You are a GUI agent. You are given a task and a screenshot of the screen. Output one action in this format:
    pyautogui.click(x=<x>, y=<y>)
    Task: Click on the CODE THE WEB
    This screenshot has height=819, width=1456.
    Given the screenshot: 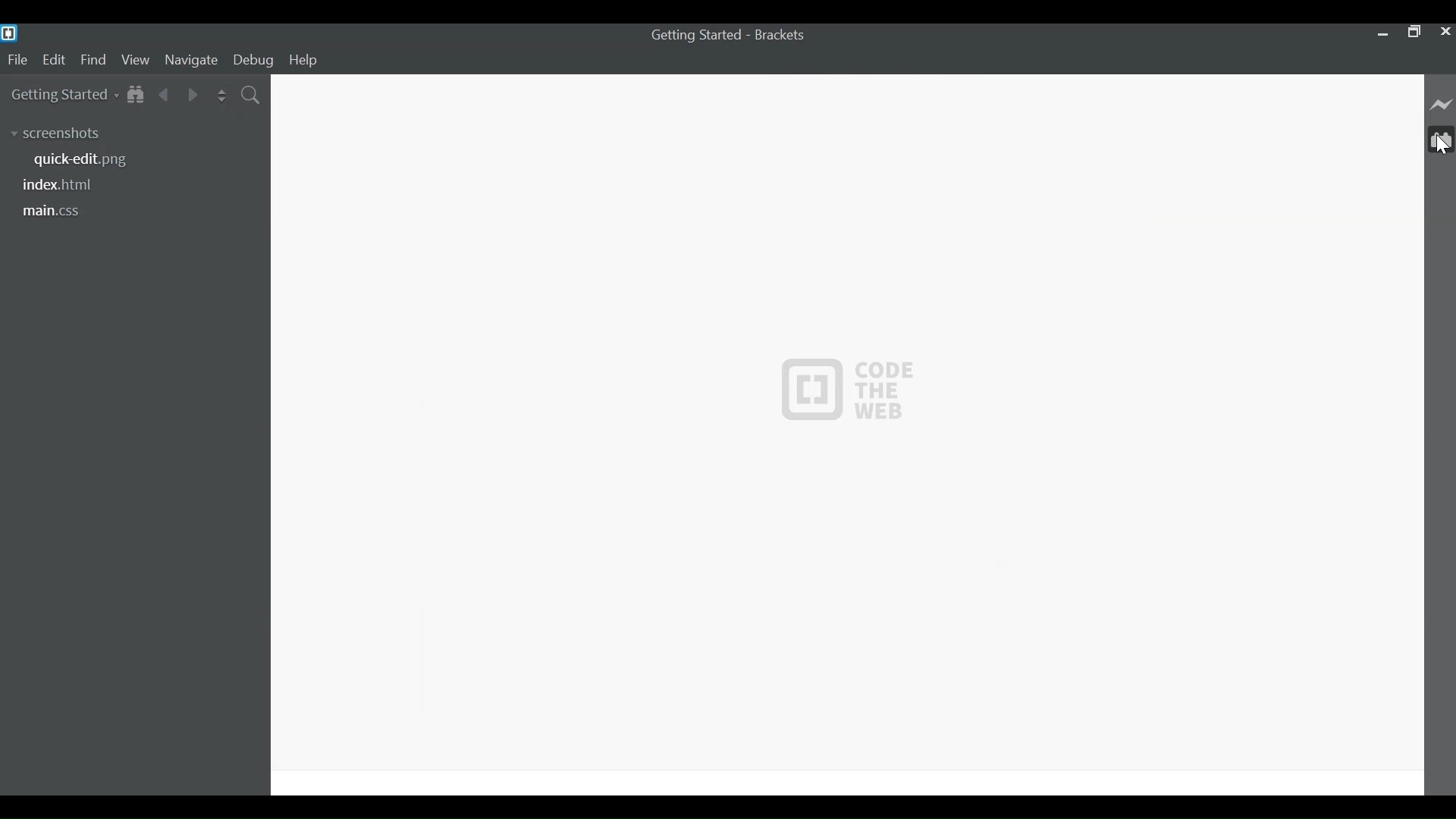 What is the action you would take?
    pyautogui.click(x=846, y=391)
    